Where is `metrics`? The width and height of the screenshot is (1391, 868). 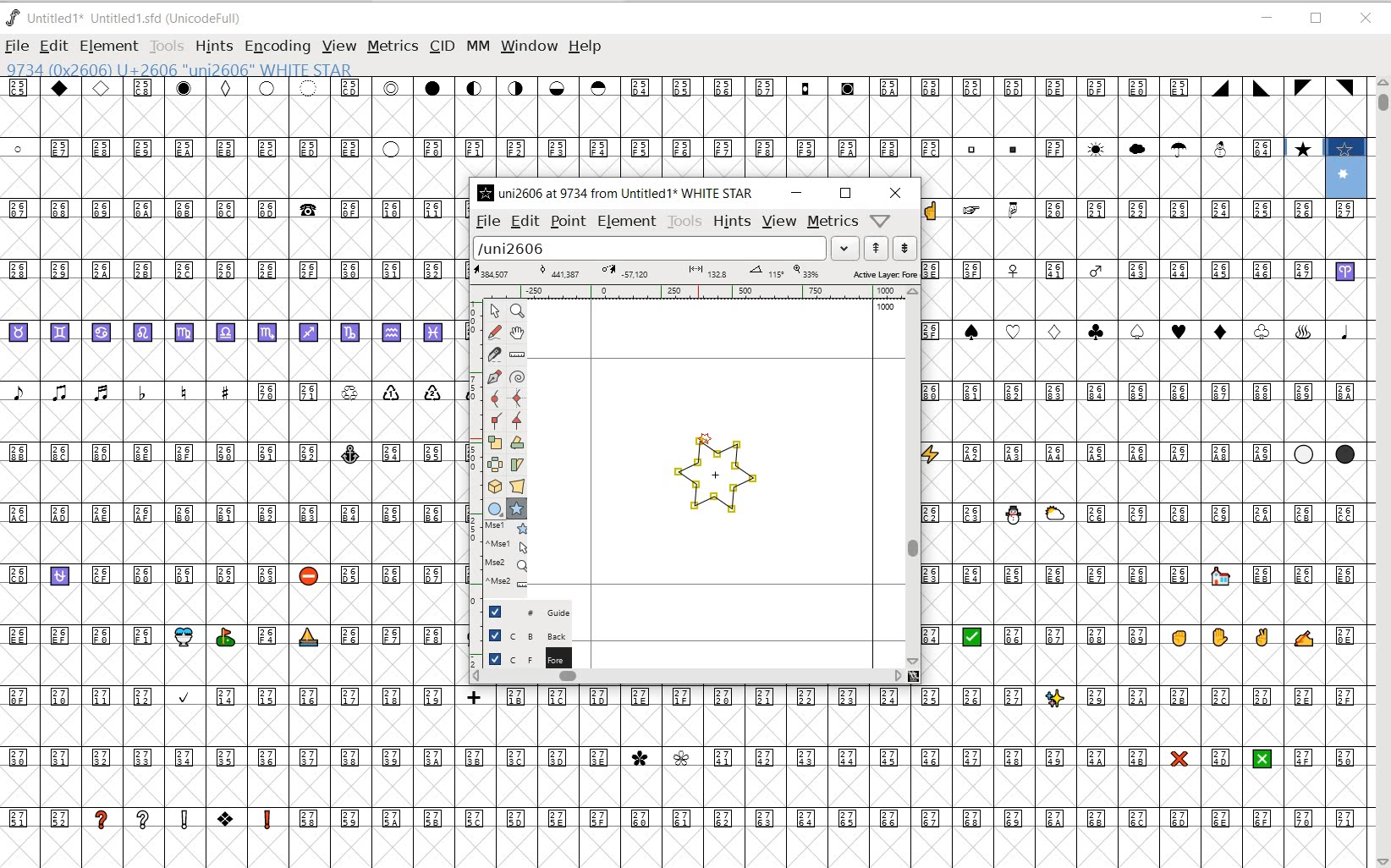
metrics is located at coordinates (833, 222).